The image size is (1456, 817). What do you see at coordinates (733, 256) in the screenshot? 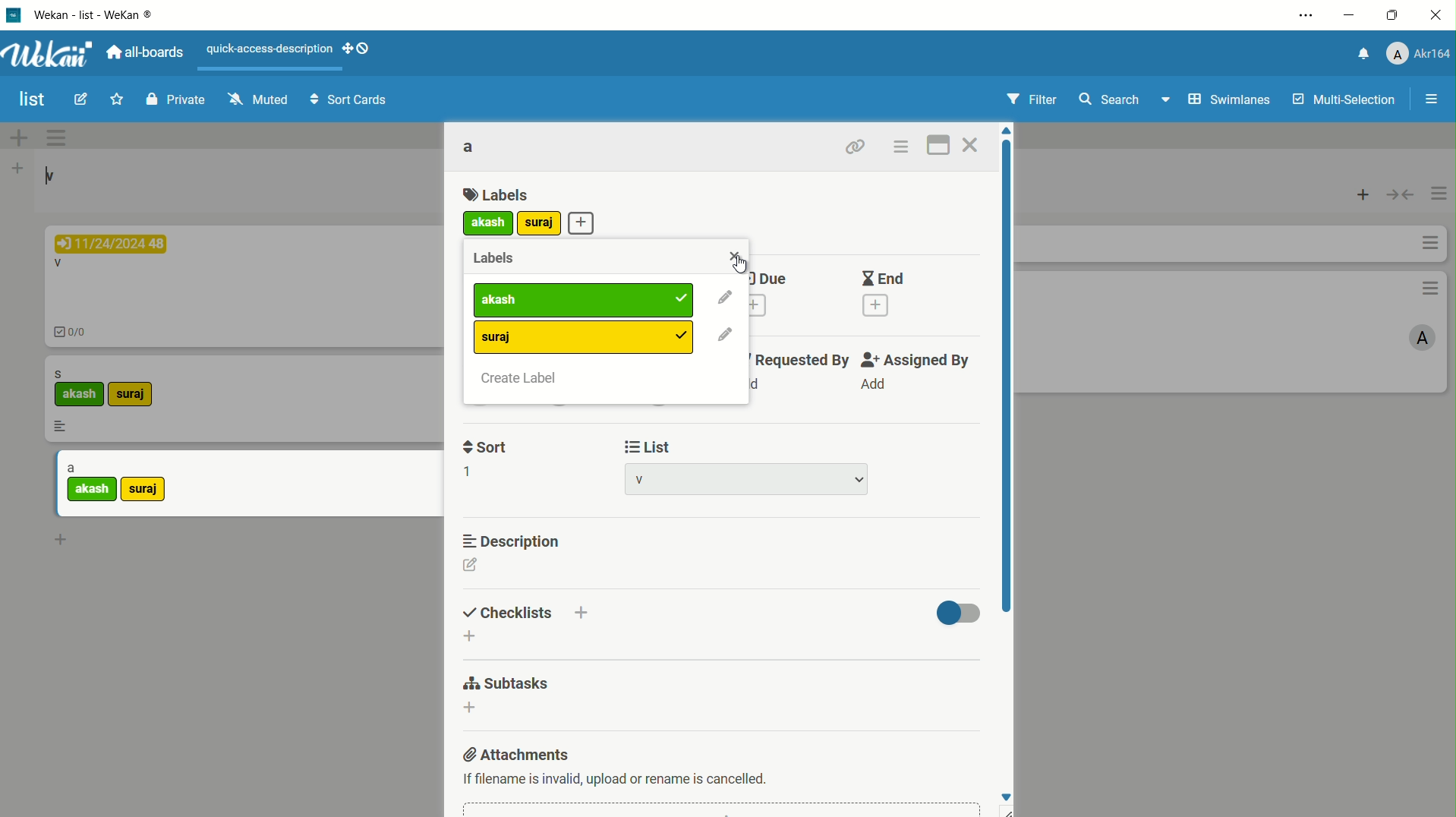
I see `close` at bounding box center [733, 256].